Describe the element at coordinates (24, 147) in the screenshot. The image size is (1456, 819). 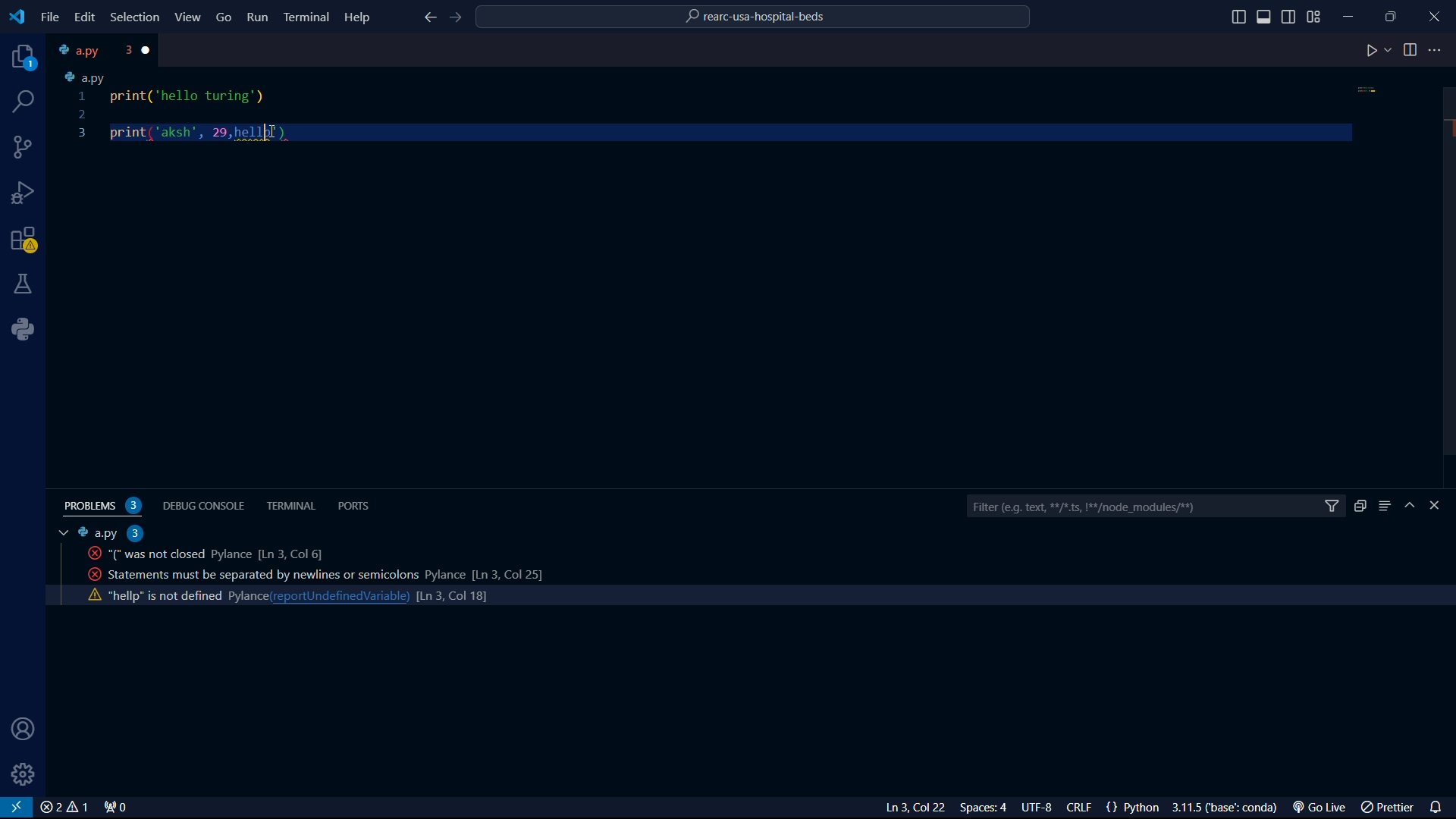
I see `connections` at that location.